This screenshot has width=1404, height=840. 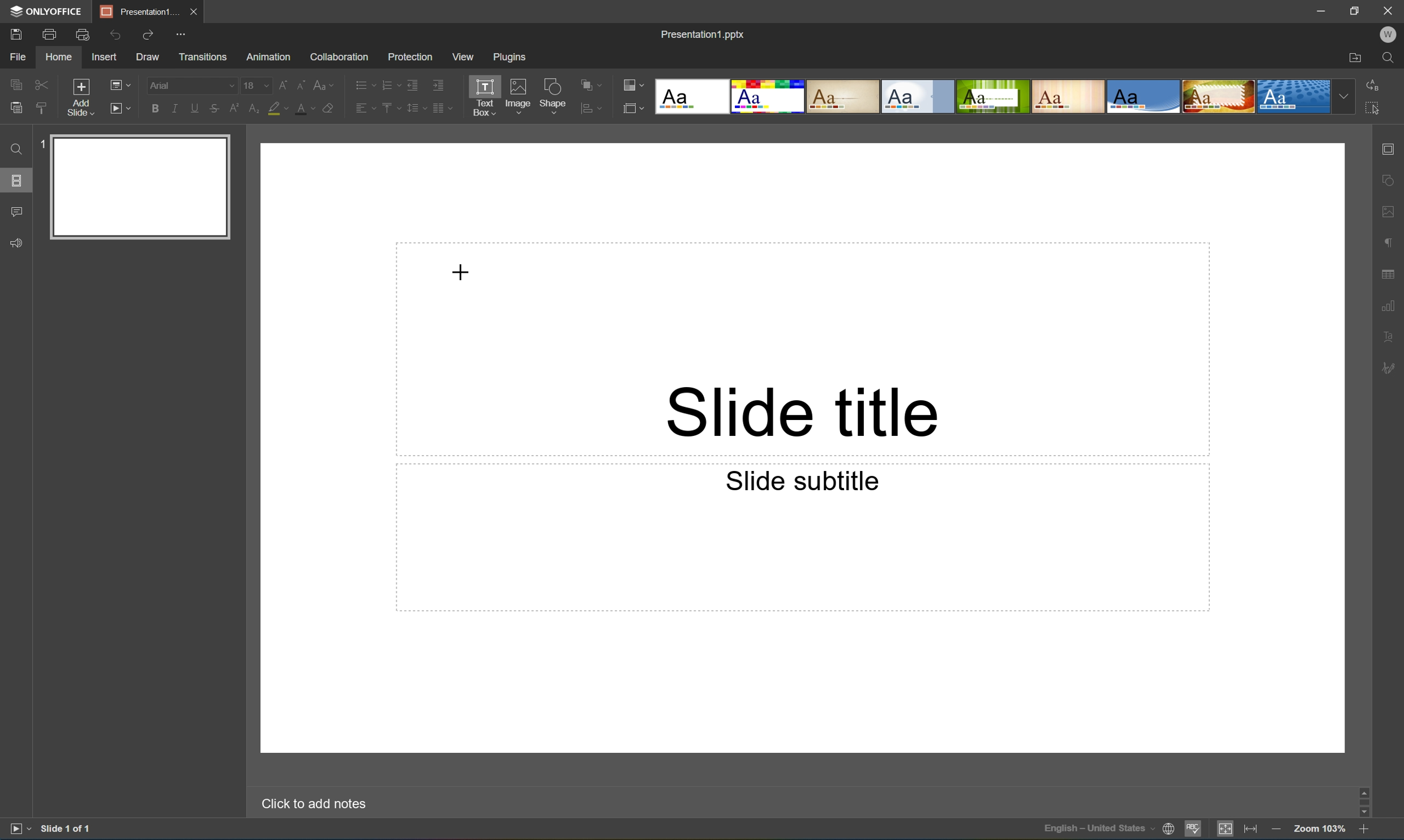 What do you see at coordinates (1391, 367) in the screenshot?
I see `Signature settings` at bounding box center [1391, 367].